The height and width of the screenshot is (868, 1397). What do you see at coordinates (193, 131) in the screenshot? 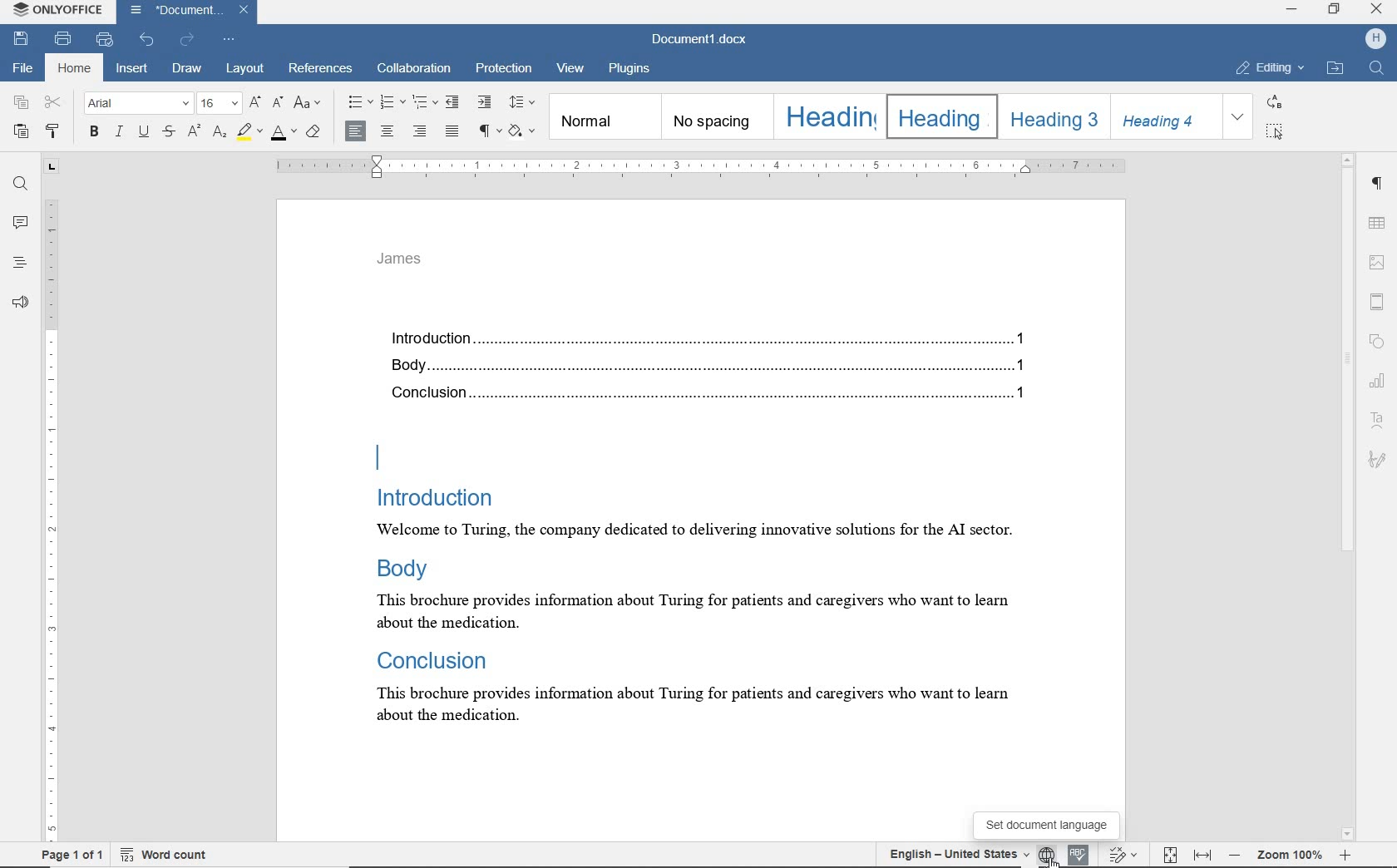
I see `superscript` at bounding box center [193, 131].